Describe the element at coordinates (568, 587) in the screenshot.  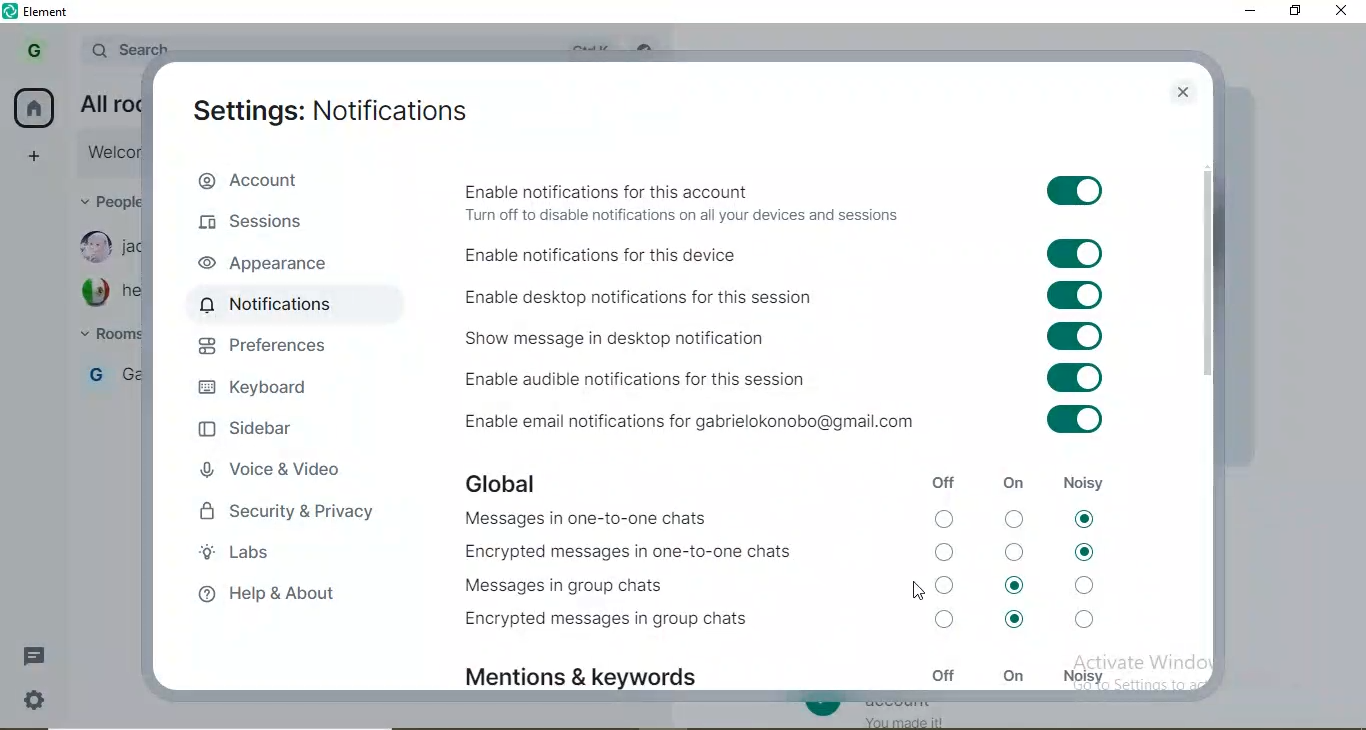
I see `messages in group chats` at that location.